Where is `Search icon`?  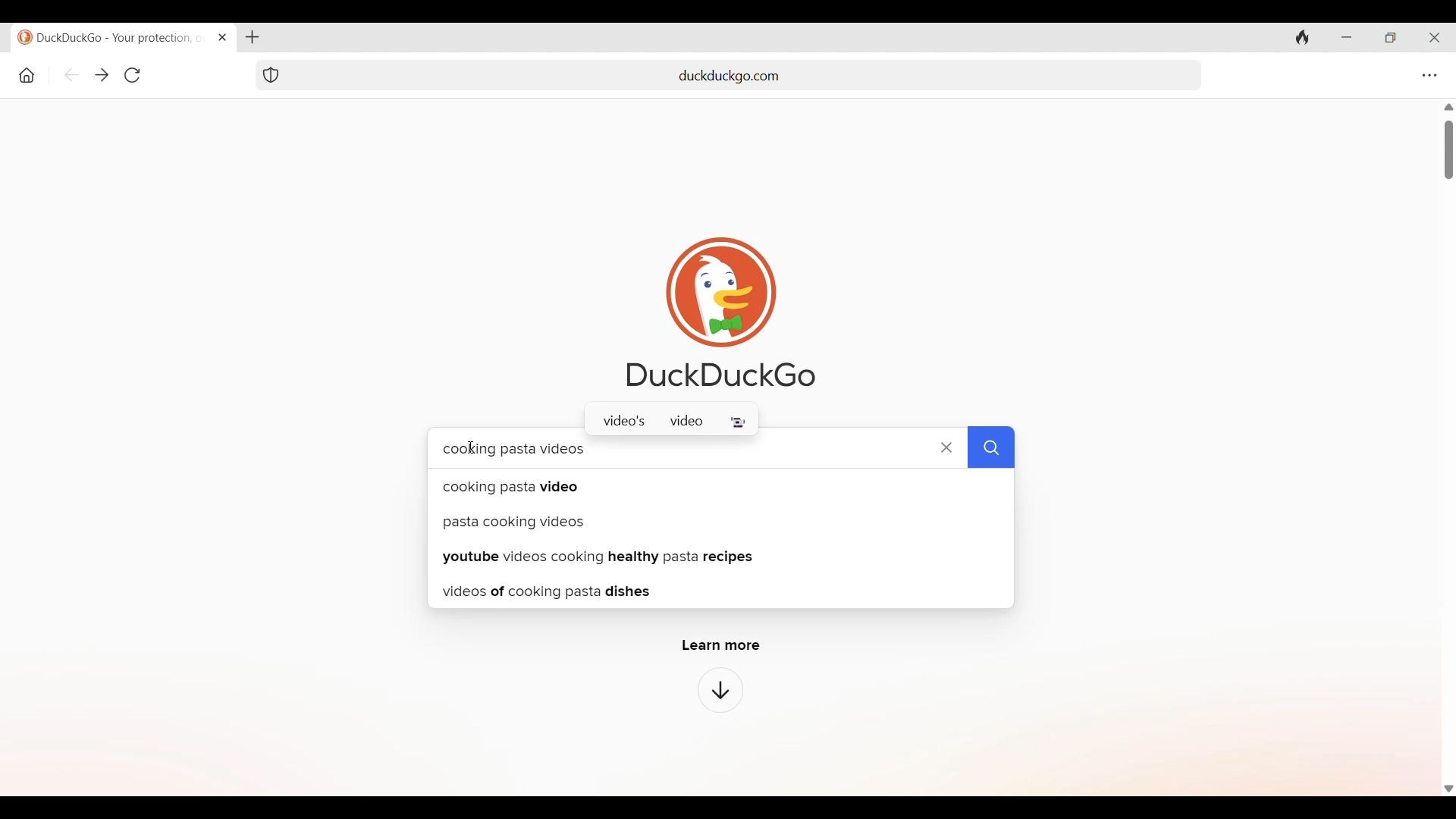 Search icon is located at coordinates (991, 448).